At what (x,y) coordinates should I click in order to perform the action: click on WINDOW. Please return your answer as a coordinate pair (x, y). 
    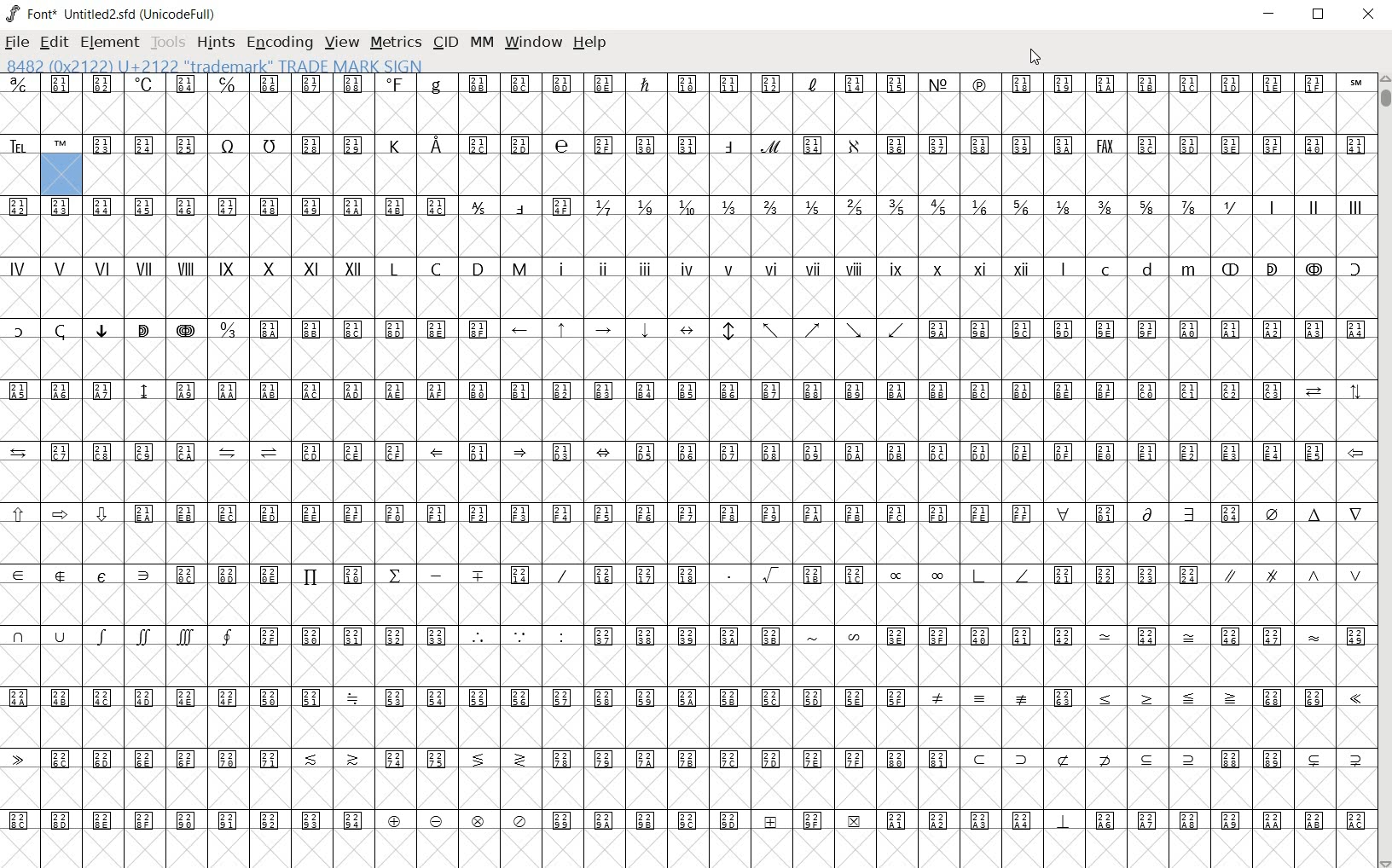
    Looking at the image, I should click on (531, 43).